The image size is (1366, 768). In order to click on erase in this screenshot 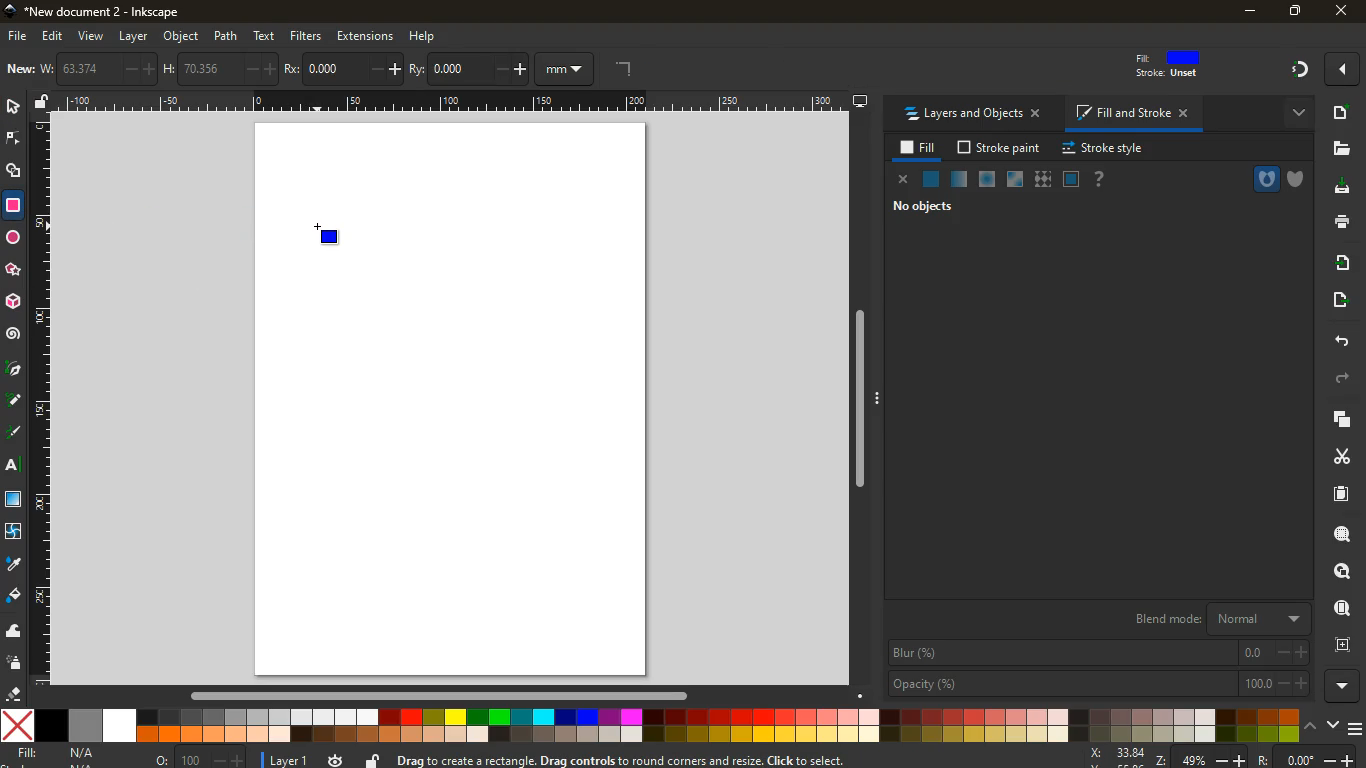, I will do `click(13, 693)`.